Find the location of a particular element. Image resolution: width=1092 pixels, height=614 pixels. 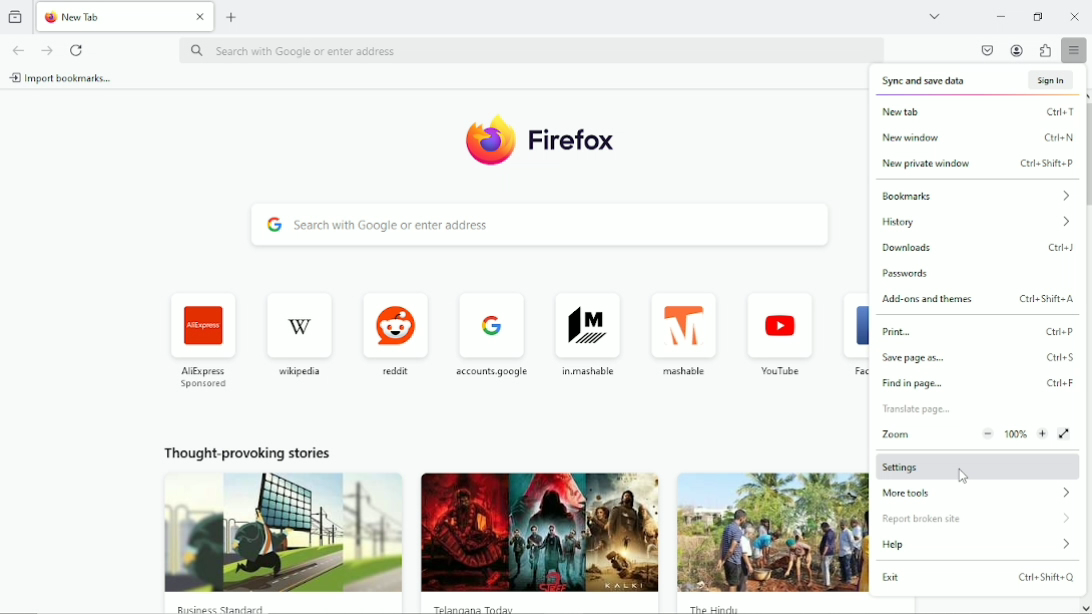

extensions is located at coordinates (1045, 51).